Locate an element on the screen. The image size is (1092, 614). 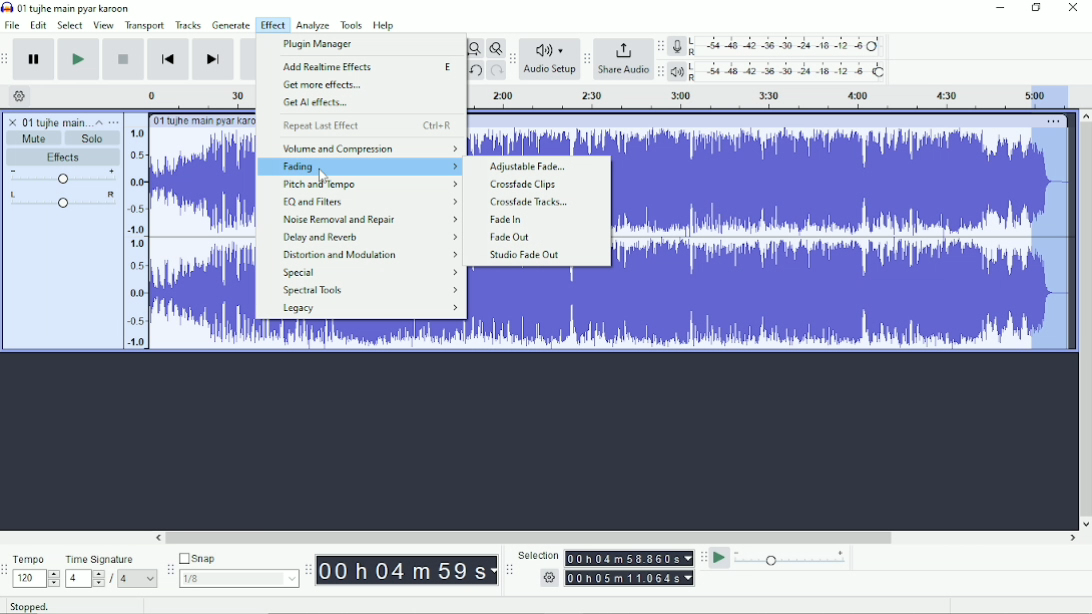
Play-at-speed is located at coordinates (721, 558).